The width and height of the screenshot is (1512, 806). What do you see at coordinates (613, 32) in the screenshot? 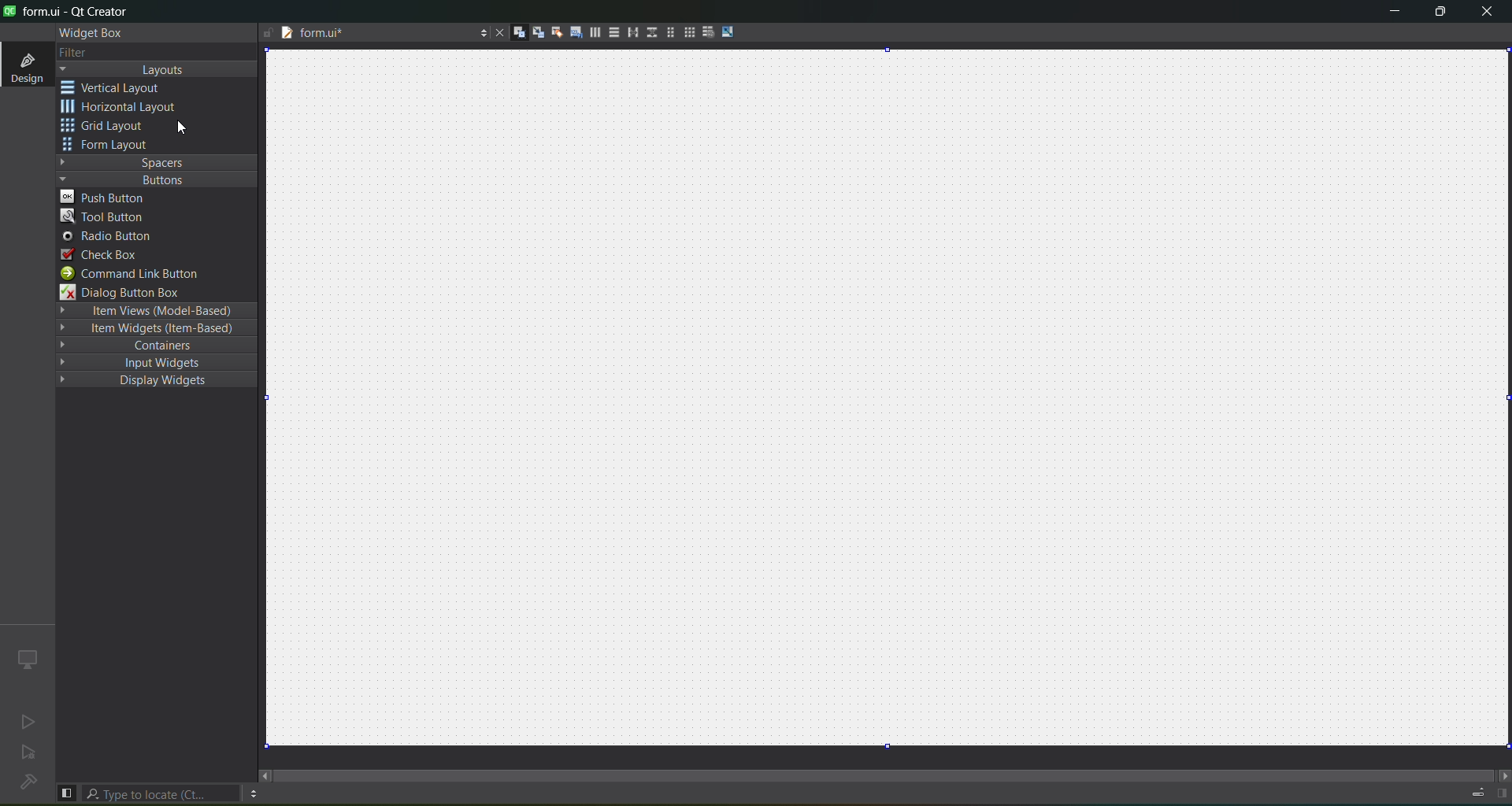
I see `vertical layout` at bounding box center [613, 32].